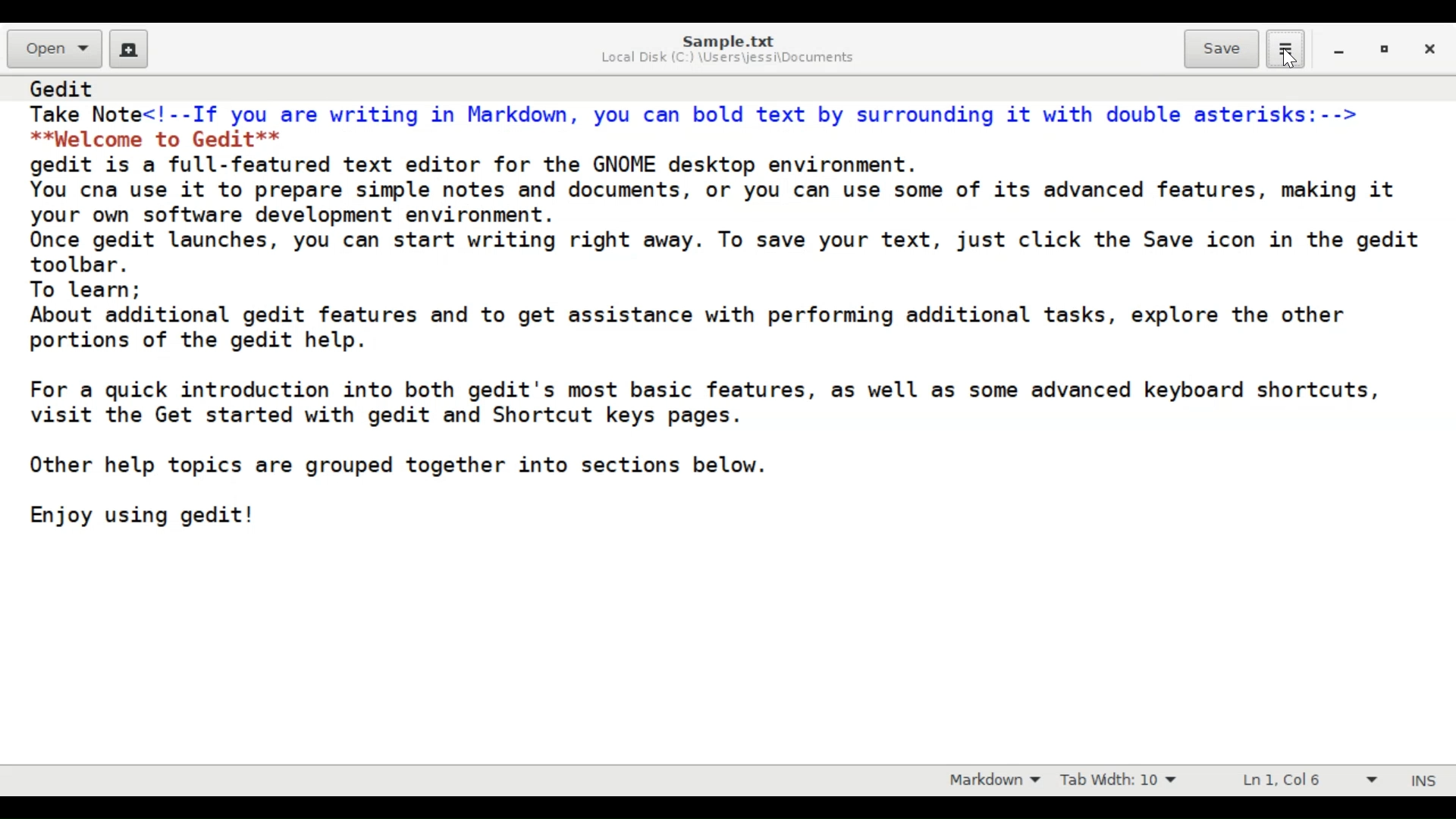  Describe the element at coordinates (1287, 58) in the screenshot. I see `Cursor` at that location.